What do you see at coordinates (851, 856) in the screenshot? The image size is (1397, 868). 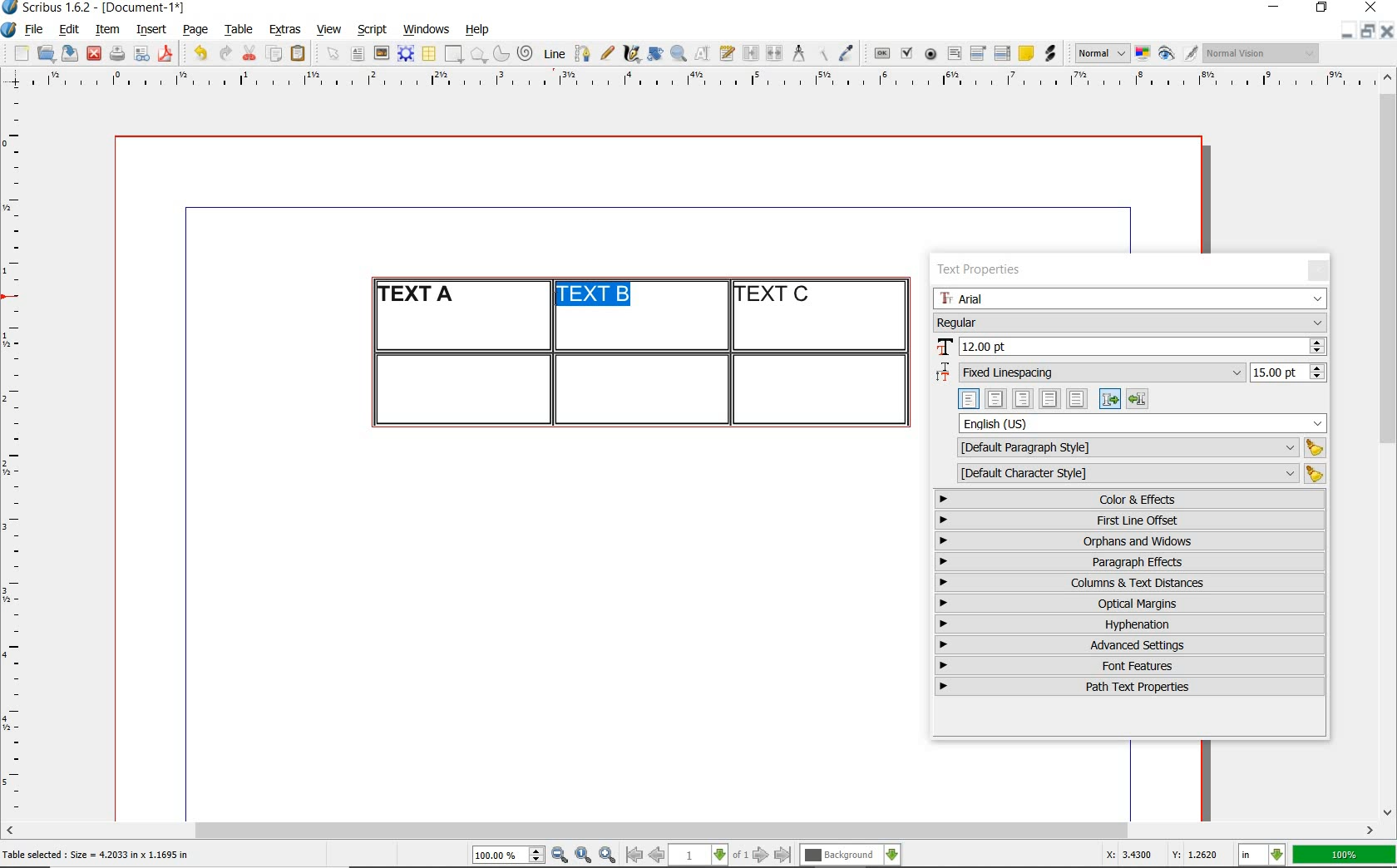 I see `select the current layer` at bounding box center [851, 856].